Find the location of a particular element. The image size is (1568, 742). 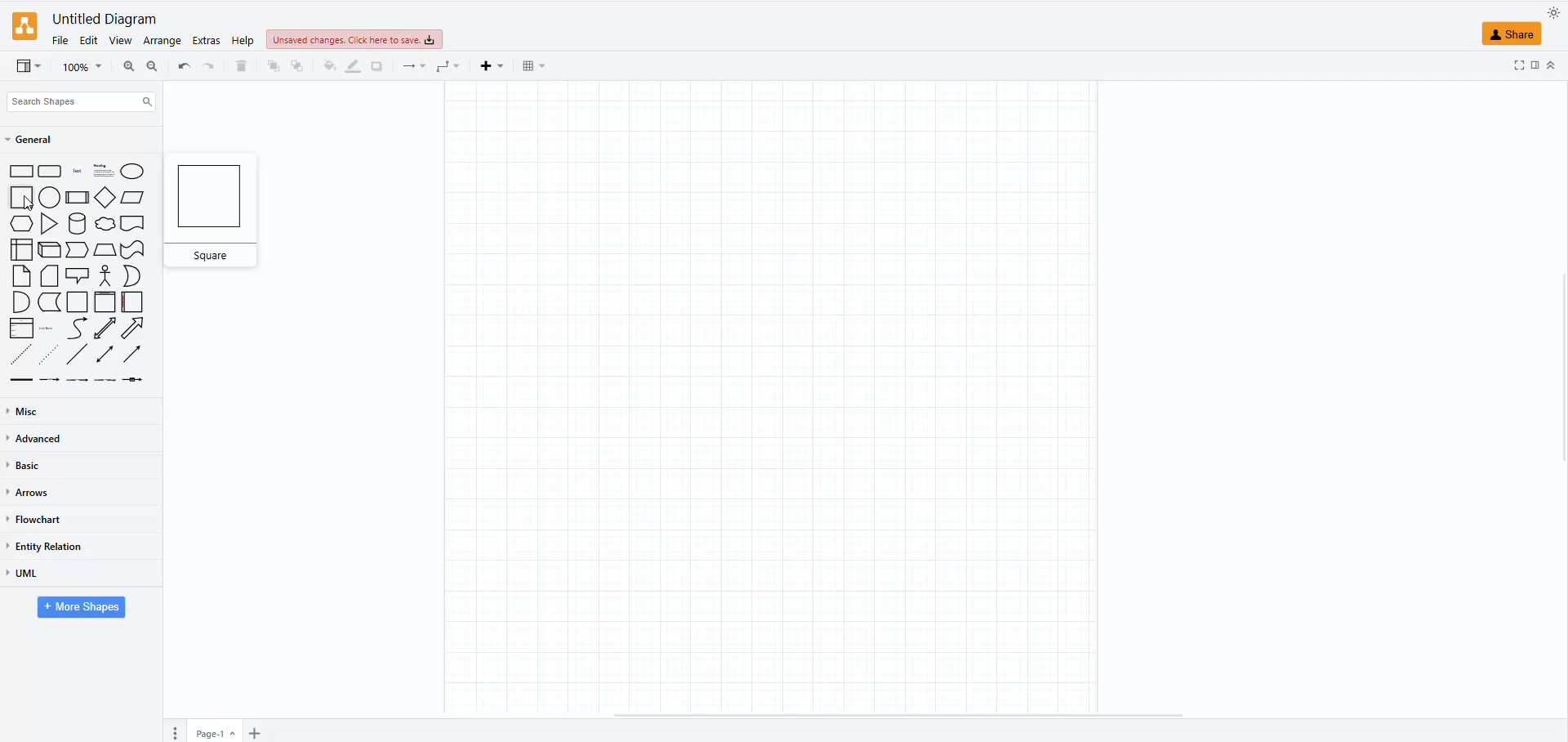

logo is located at coordinates (24, 26).